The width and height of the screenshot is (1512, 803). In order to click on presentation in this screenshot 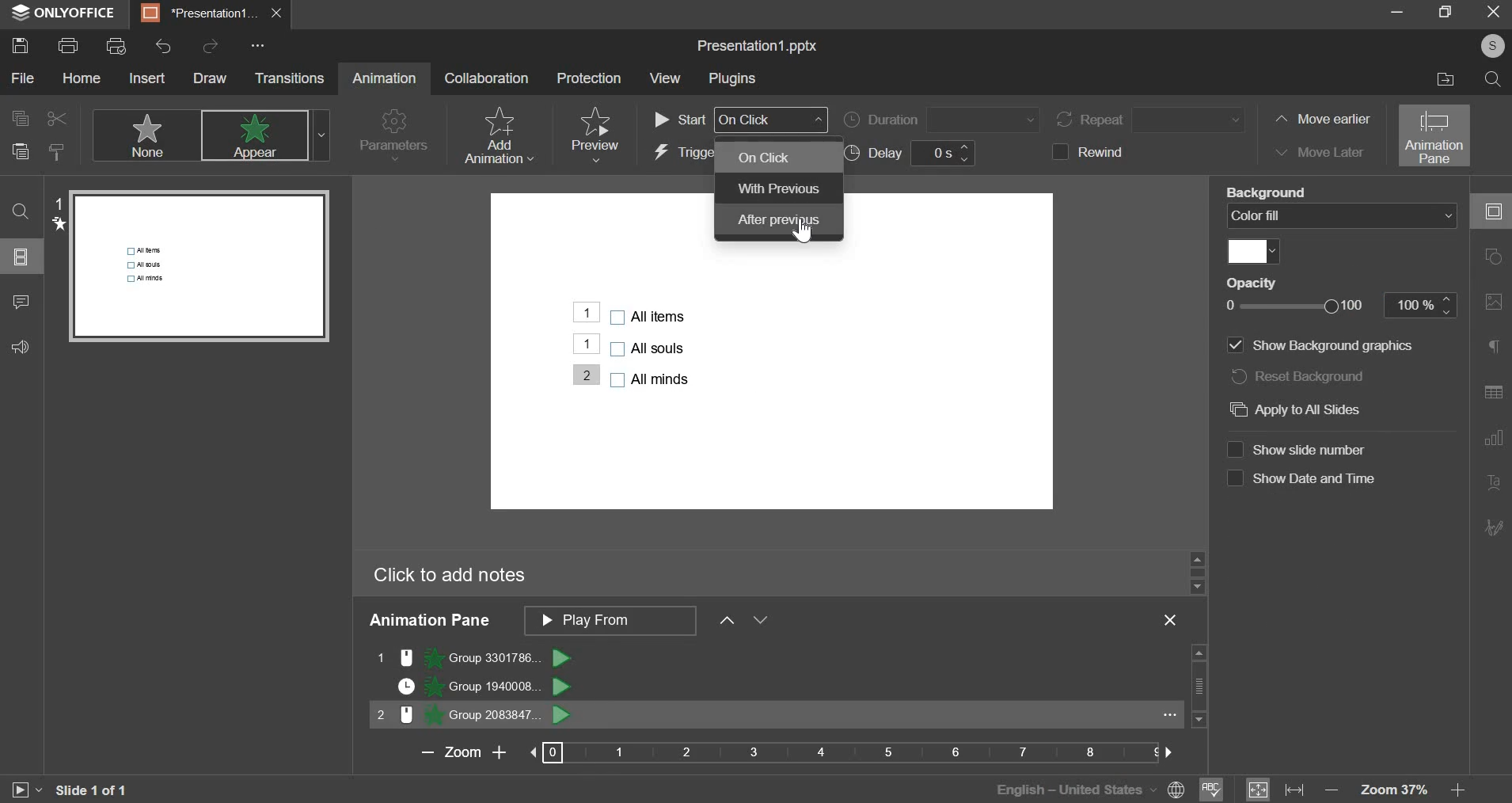, I will do `click(199, 13)`.